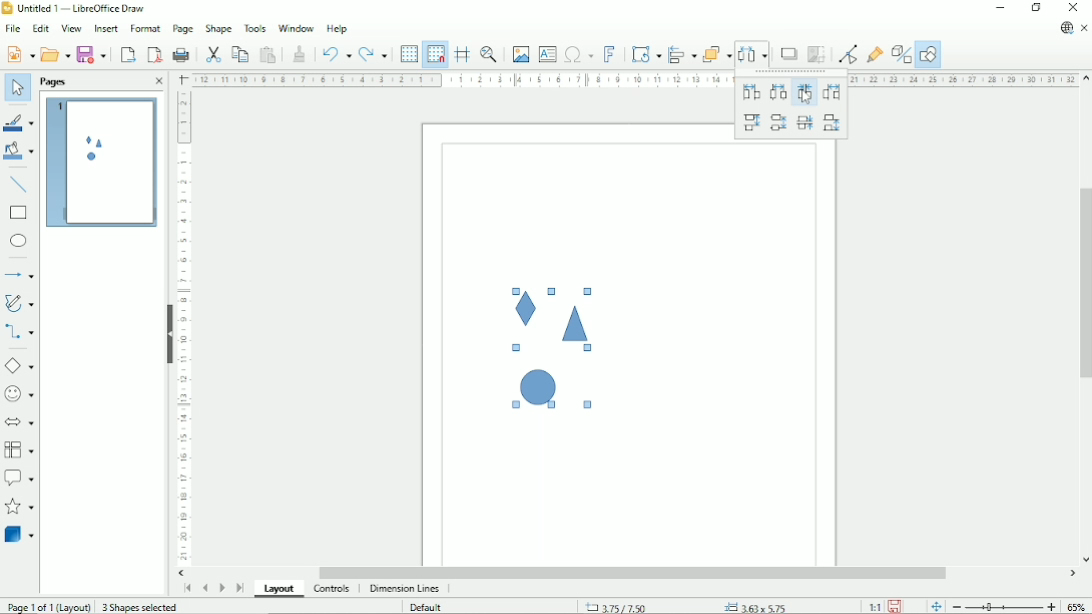 This screenshot has height=614, width=1092. I want to click on Tools, so click(255, 28).